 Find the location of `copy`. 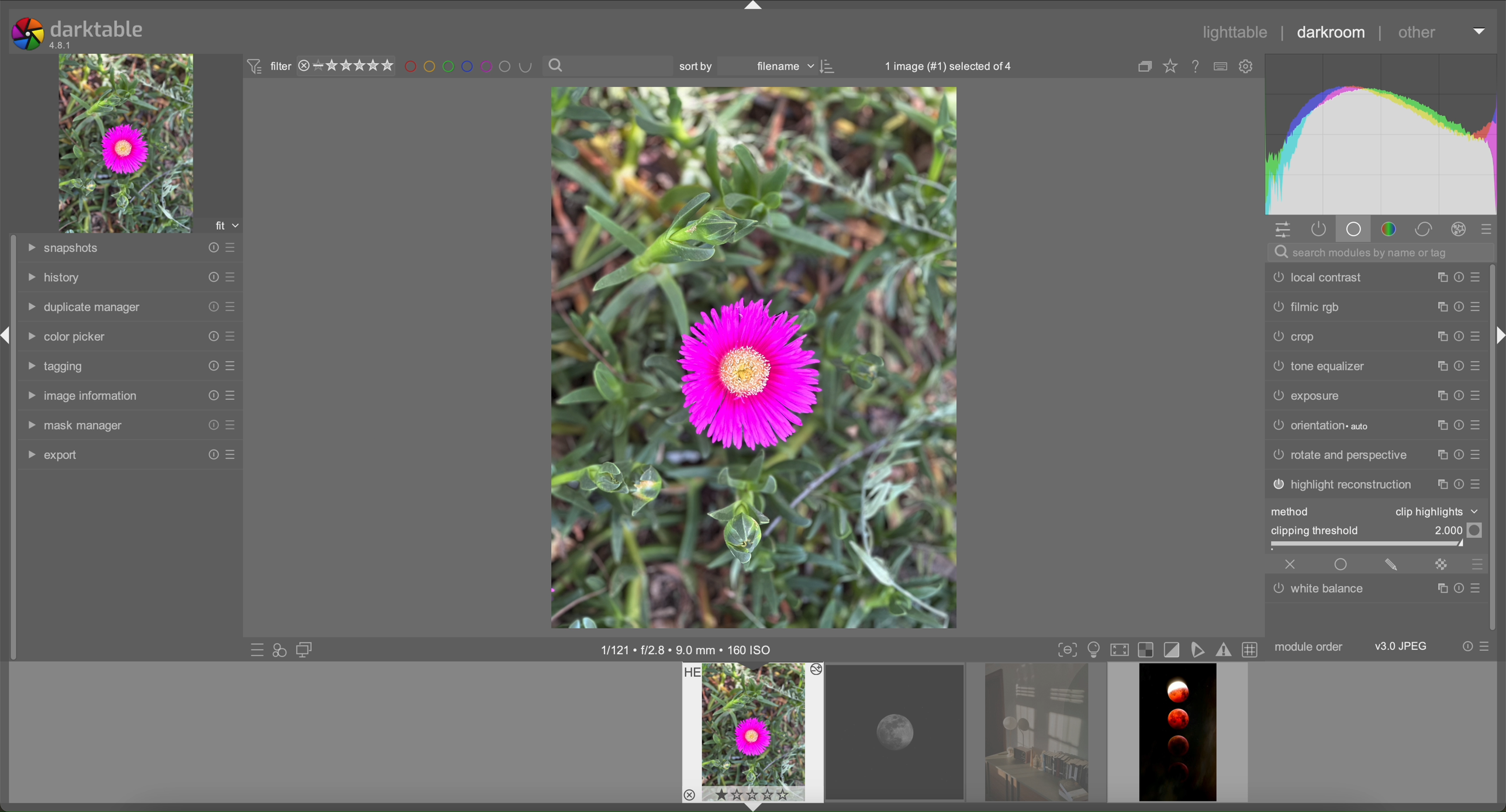

copy is located at coordinates (1441, 307).